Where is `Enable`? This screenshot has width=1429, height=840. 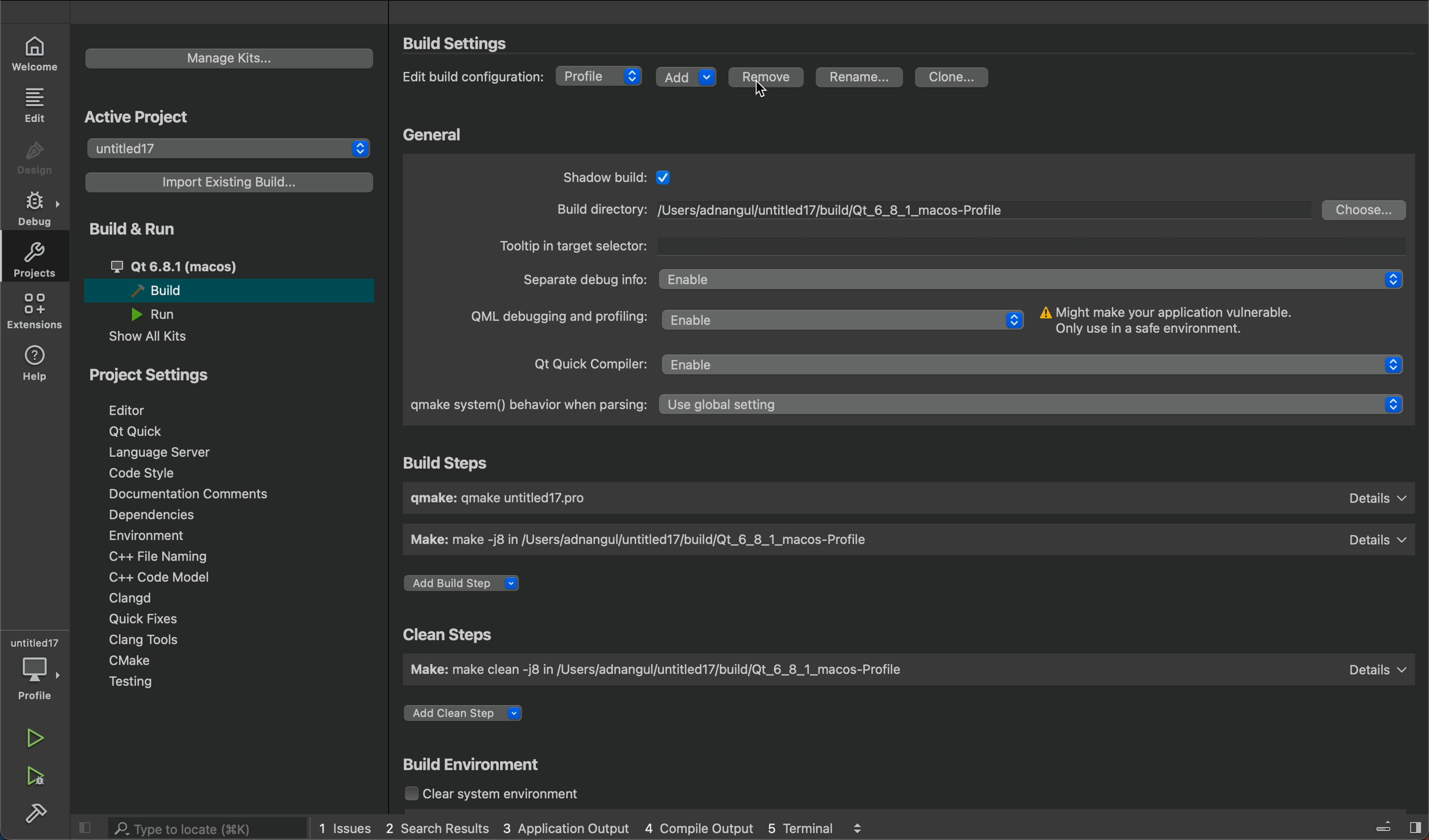
Enable is located at coordinates (1032, 278).